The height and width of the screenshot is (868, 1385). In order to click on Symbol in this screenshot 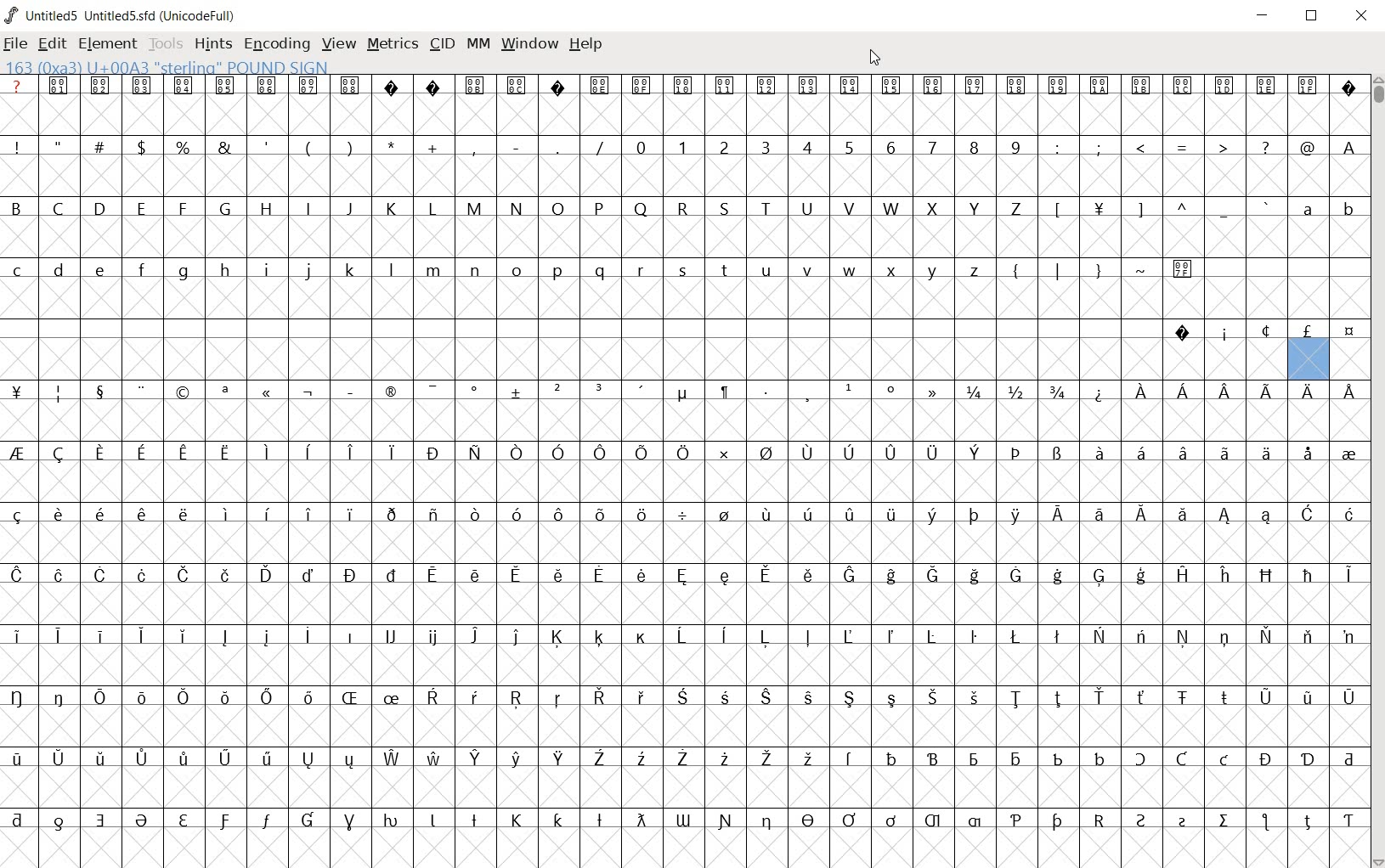, I will do `click(476, 85)`.